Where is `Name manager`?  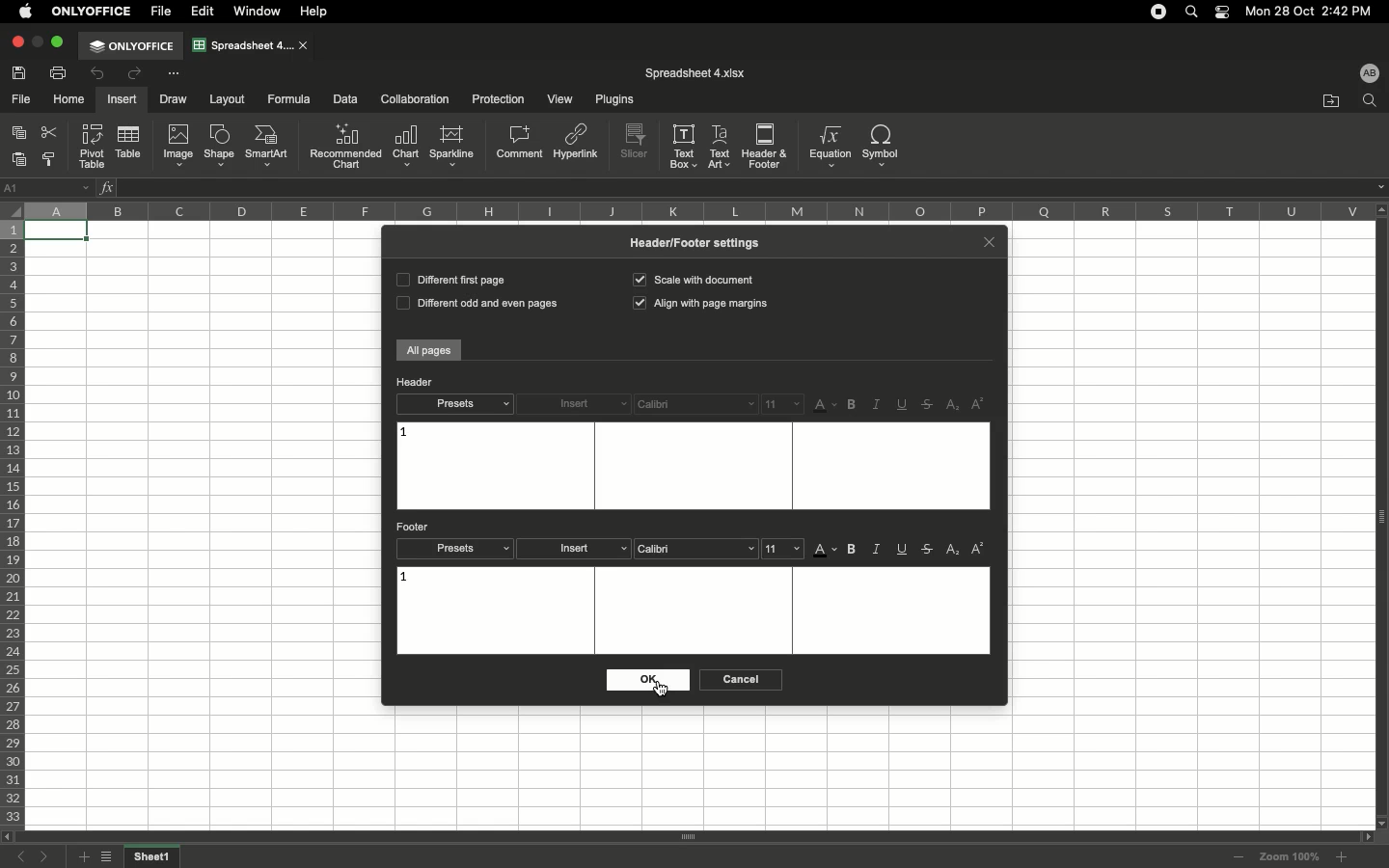 Name manager is located at coordinates (48, 186).